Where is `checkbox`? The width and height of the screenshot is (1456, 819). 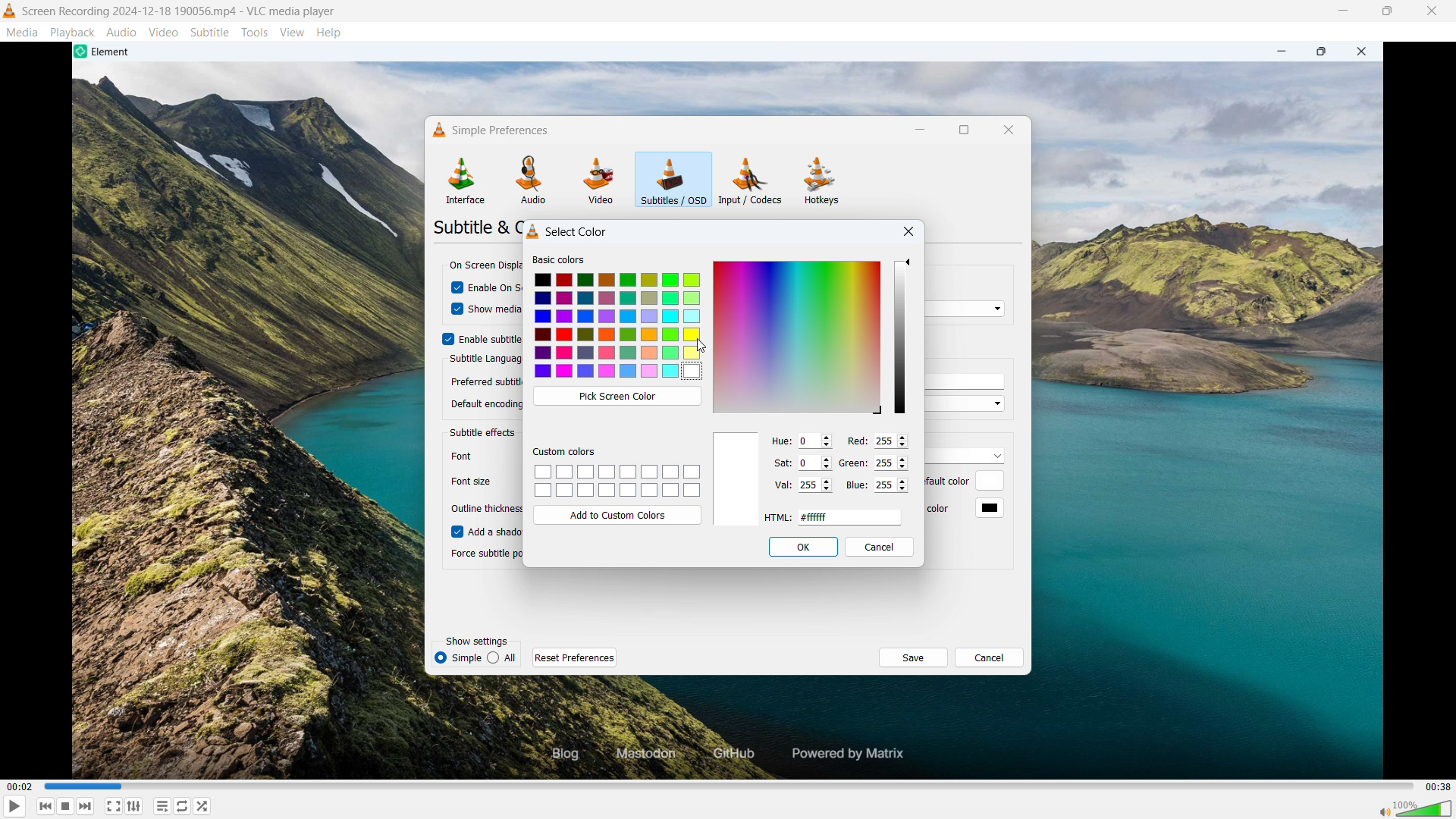
checkbox is located at coordinates (454, 289).